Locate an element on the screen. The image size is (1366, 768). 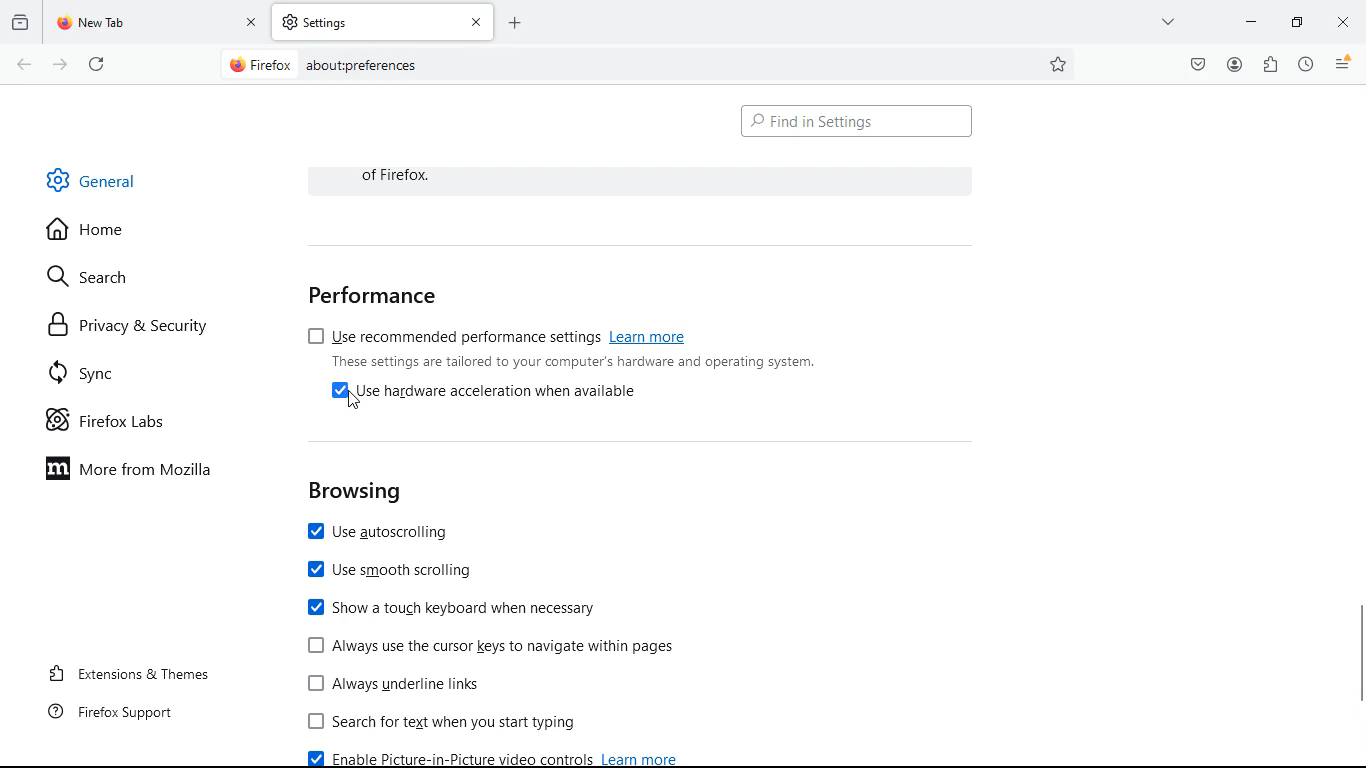
pocket is located at coordinates (1194, 65).